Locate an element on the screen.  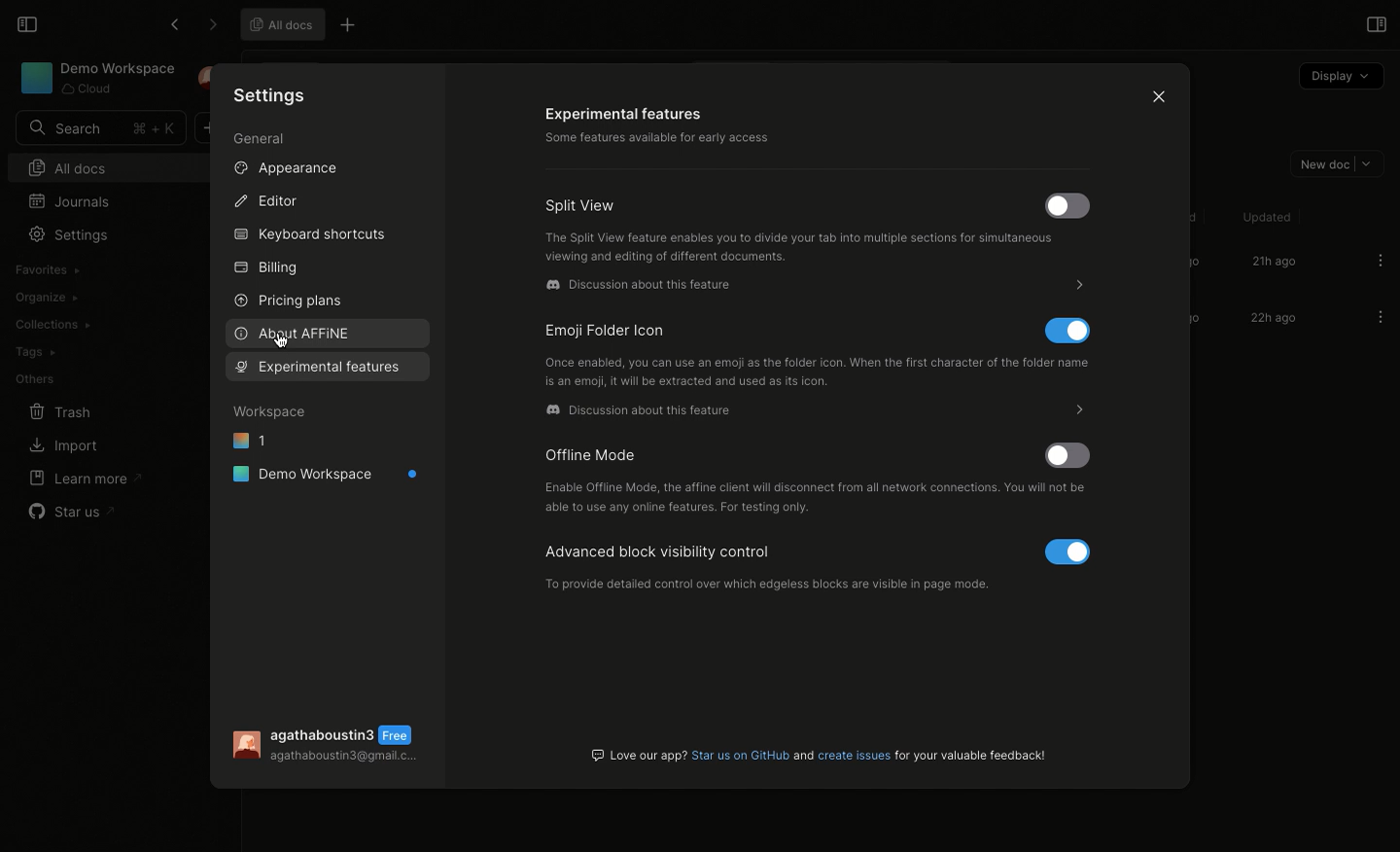
Offline Mode Toggle is located at coordinates (1072, 458).